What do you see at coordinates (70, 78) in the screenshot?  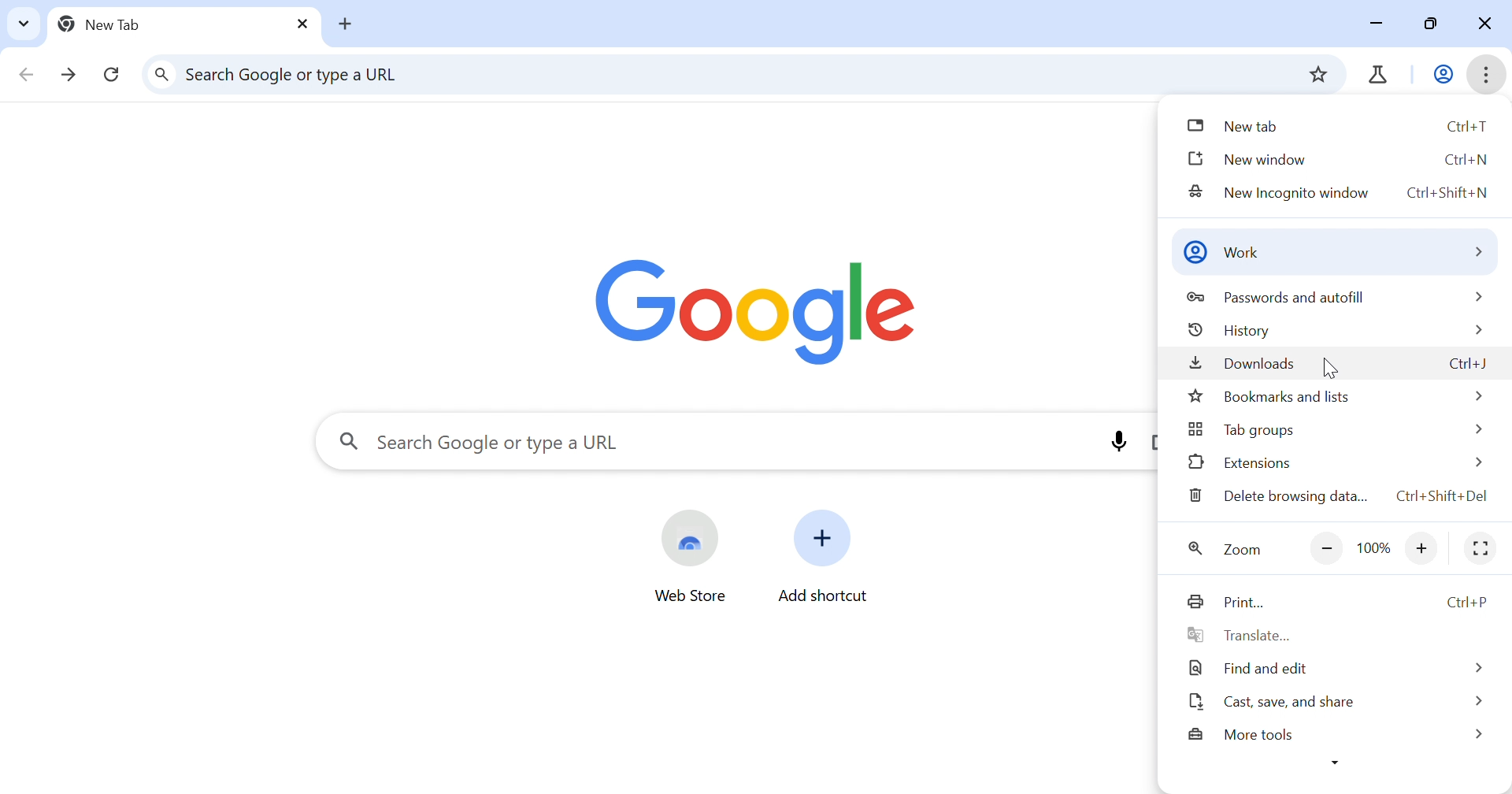 I see `Forward` at bounding box center [70, 78].